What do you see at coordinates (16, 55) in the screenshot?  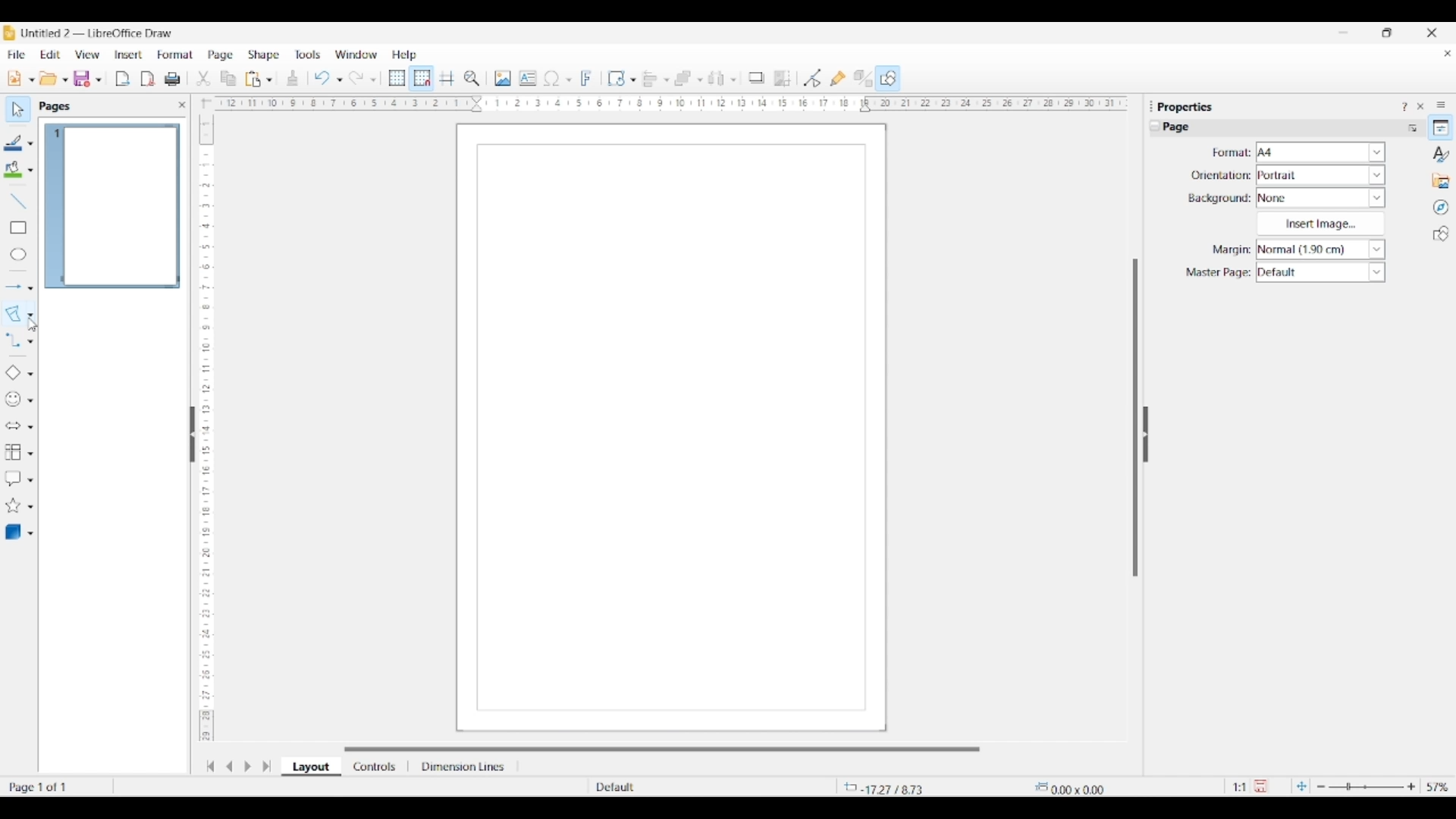 I see `File` at bounding box center [16, 55].